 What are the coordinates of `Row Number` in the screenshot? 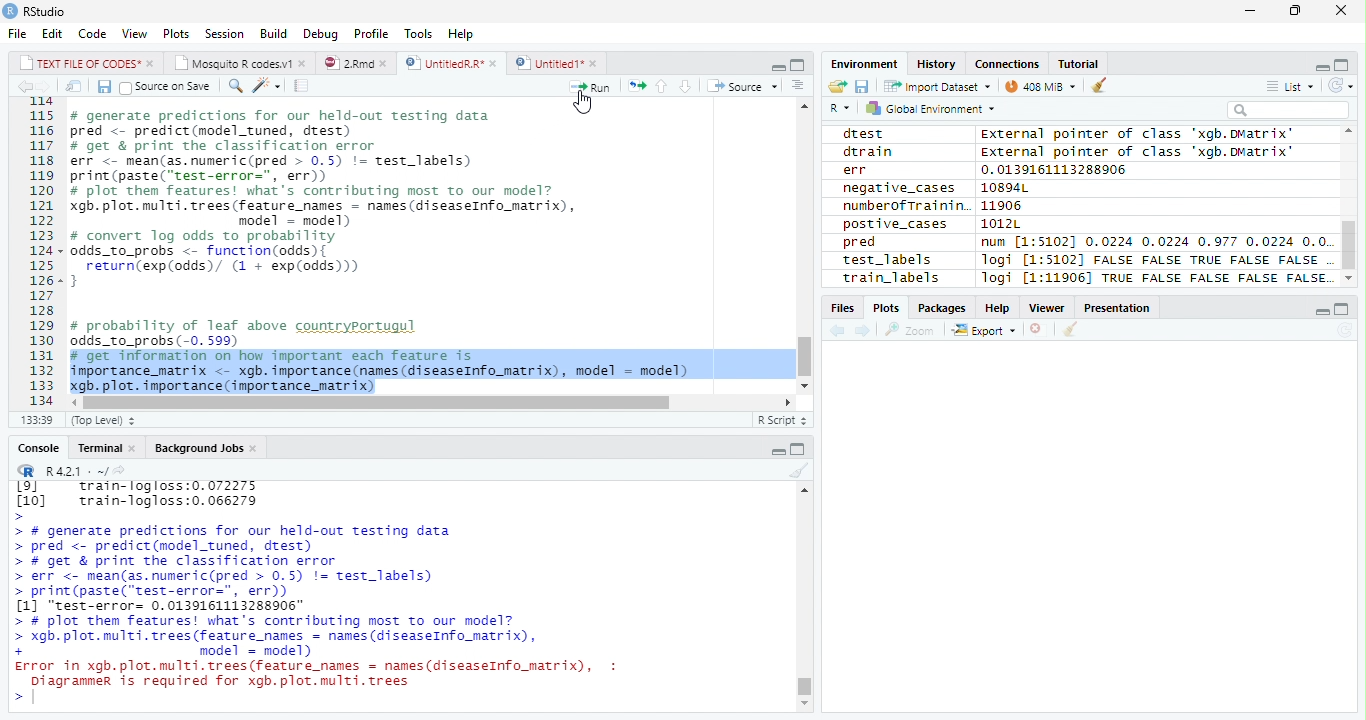 It's located at (35, 253).